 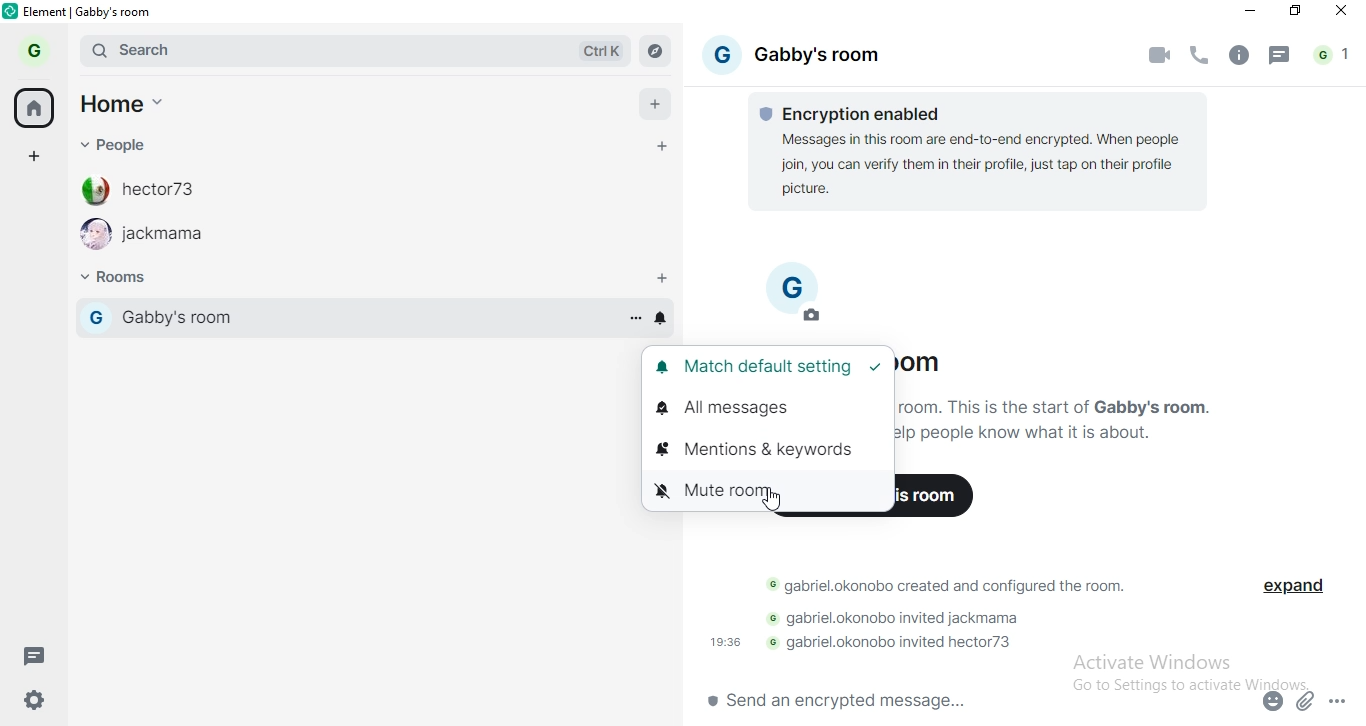 What do you see at coordinates (10, 12) in the screenshot?
I see `logo` at bounding box center [10, 12].